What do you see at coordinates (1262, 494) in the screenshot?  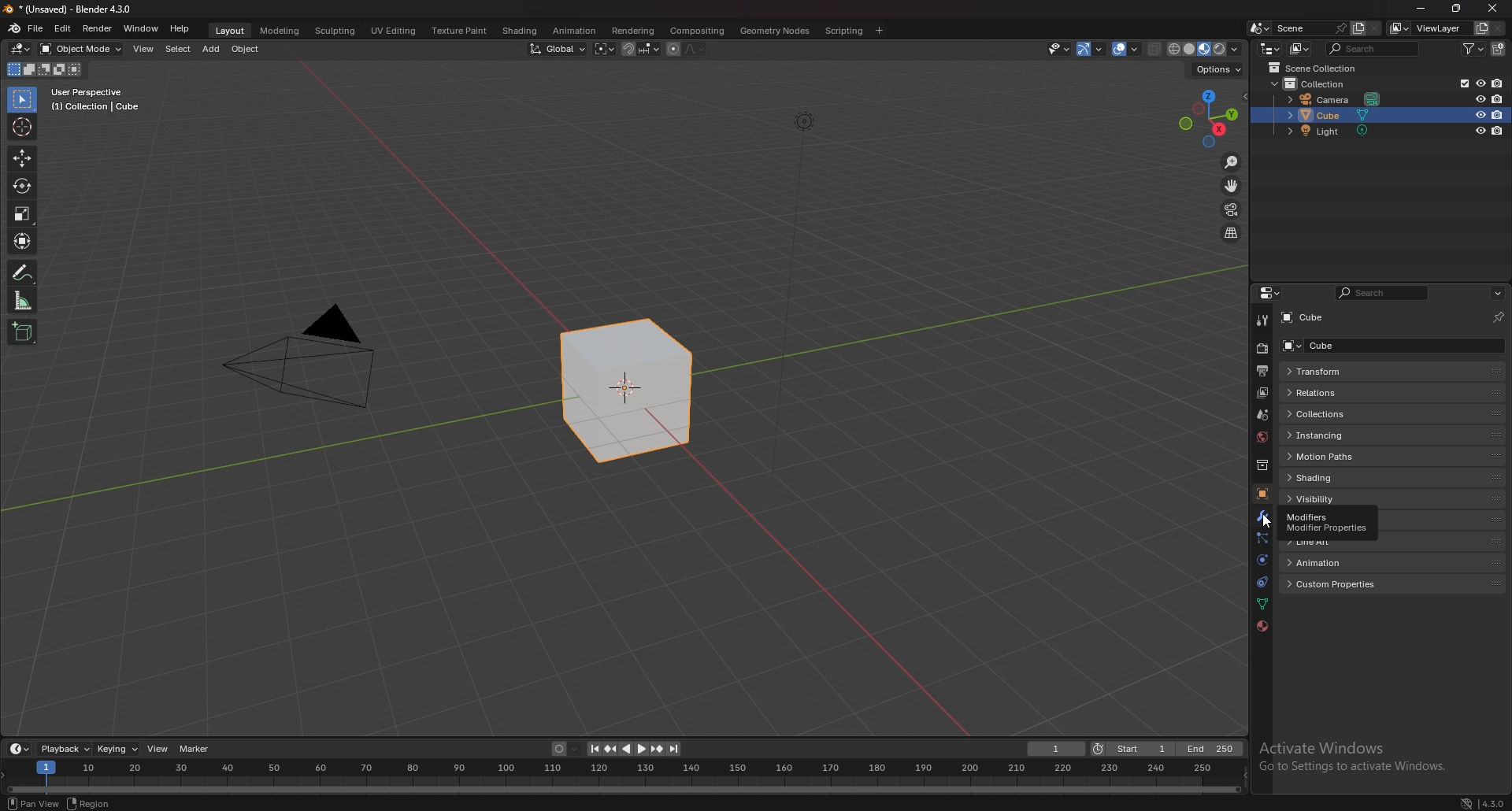 I see `object` at bounding box center [1262, 494].